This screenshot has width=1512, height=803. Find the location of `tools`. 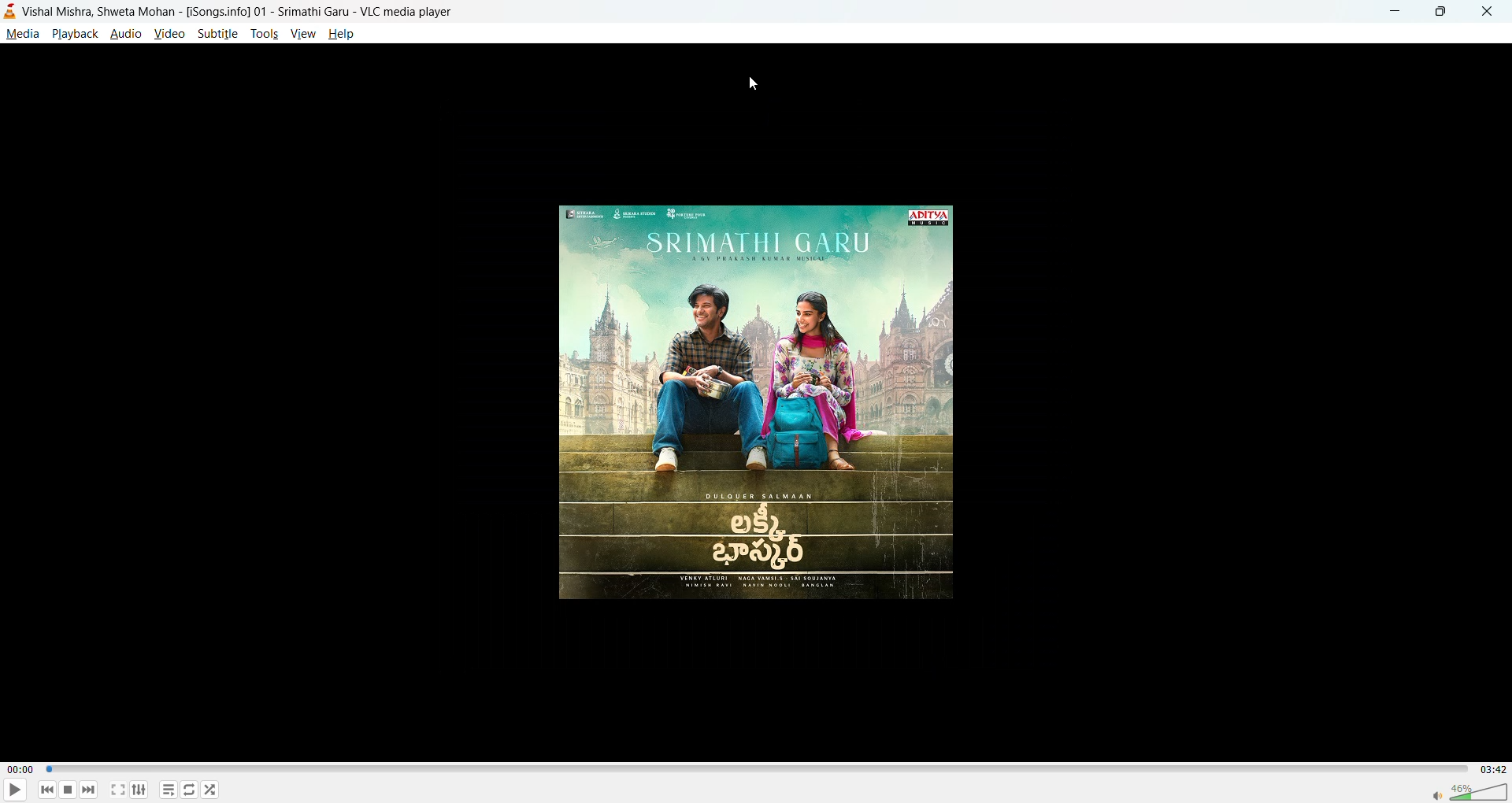

tools is located at coordinates (263, 34).